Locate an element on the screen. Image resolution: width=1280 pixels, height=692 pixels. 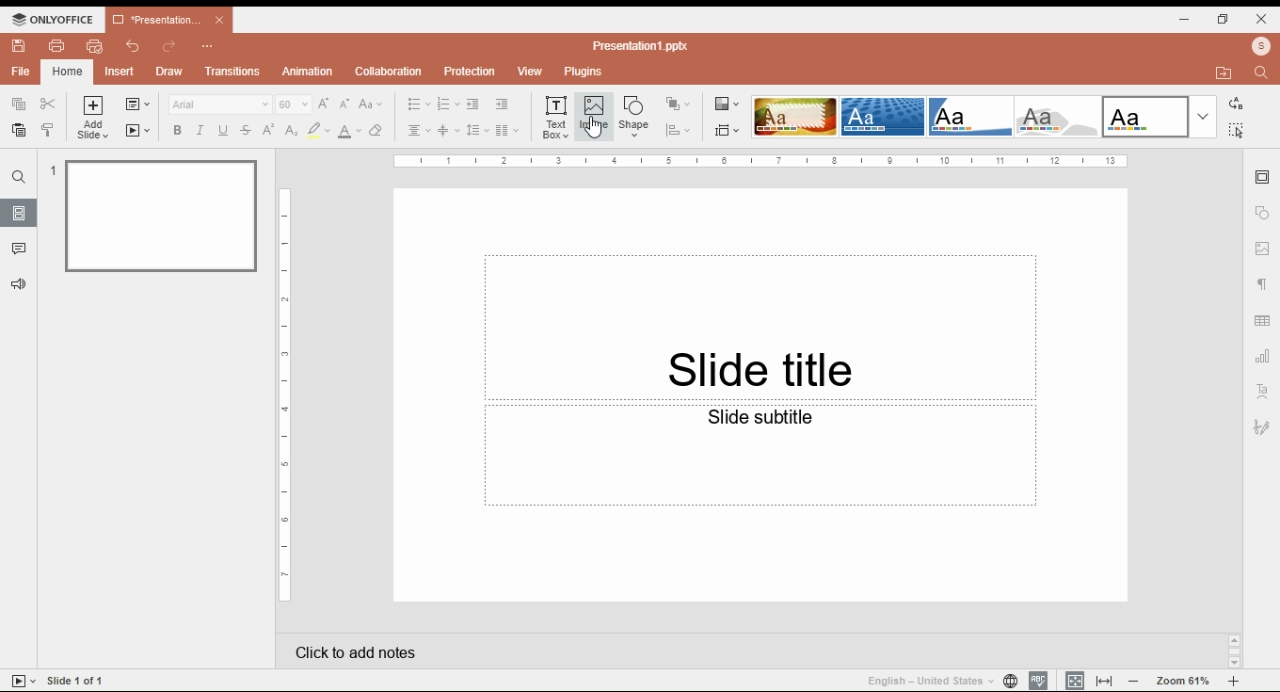
spell check is located at coordinates (1039, 679).